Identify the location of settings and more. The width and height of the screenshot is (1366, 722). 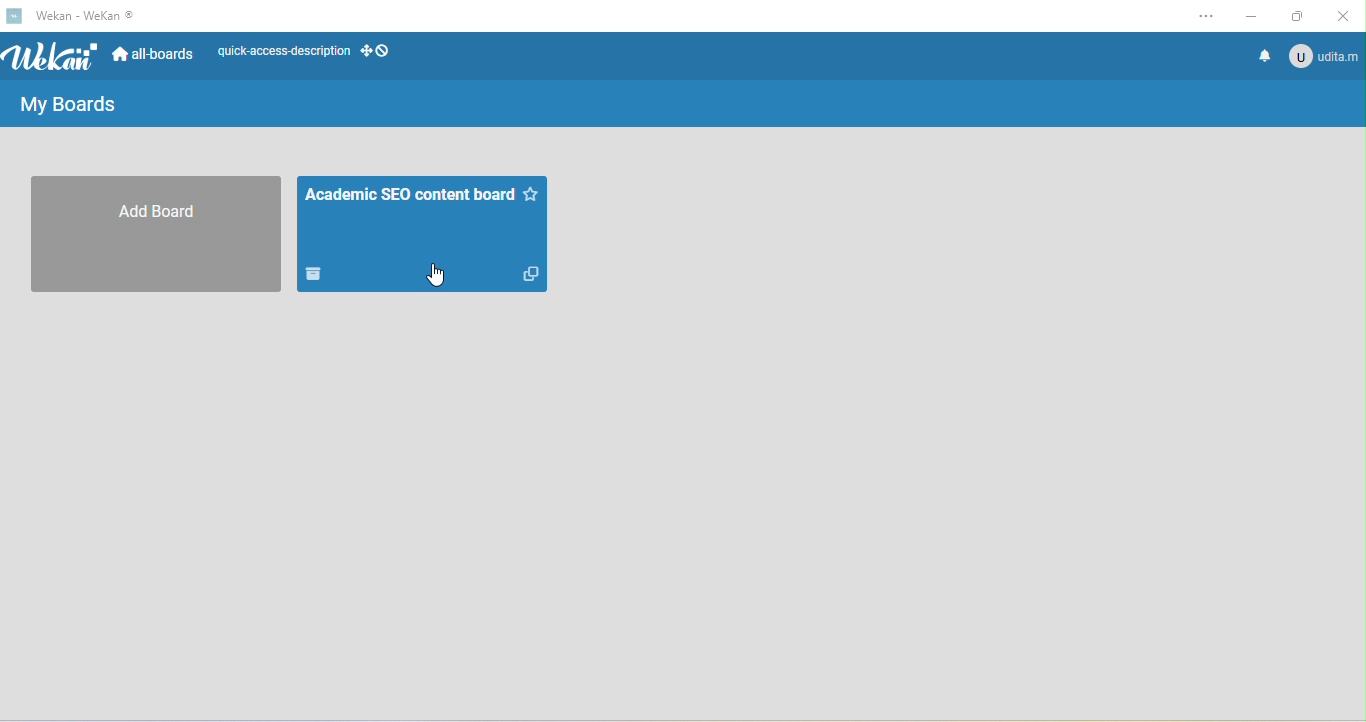
(1205, 17).